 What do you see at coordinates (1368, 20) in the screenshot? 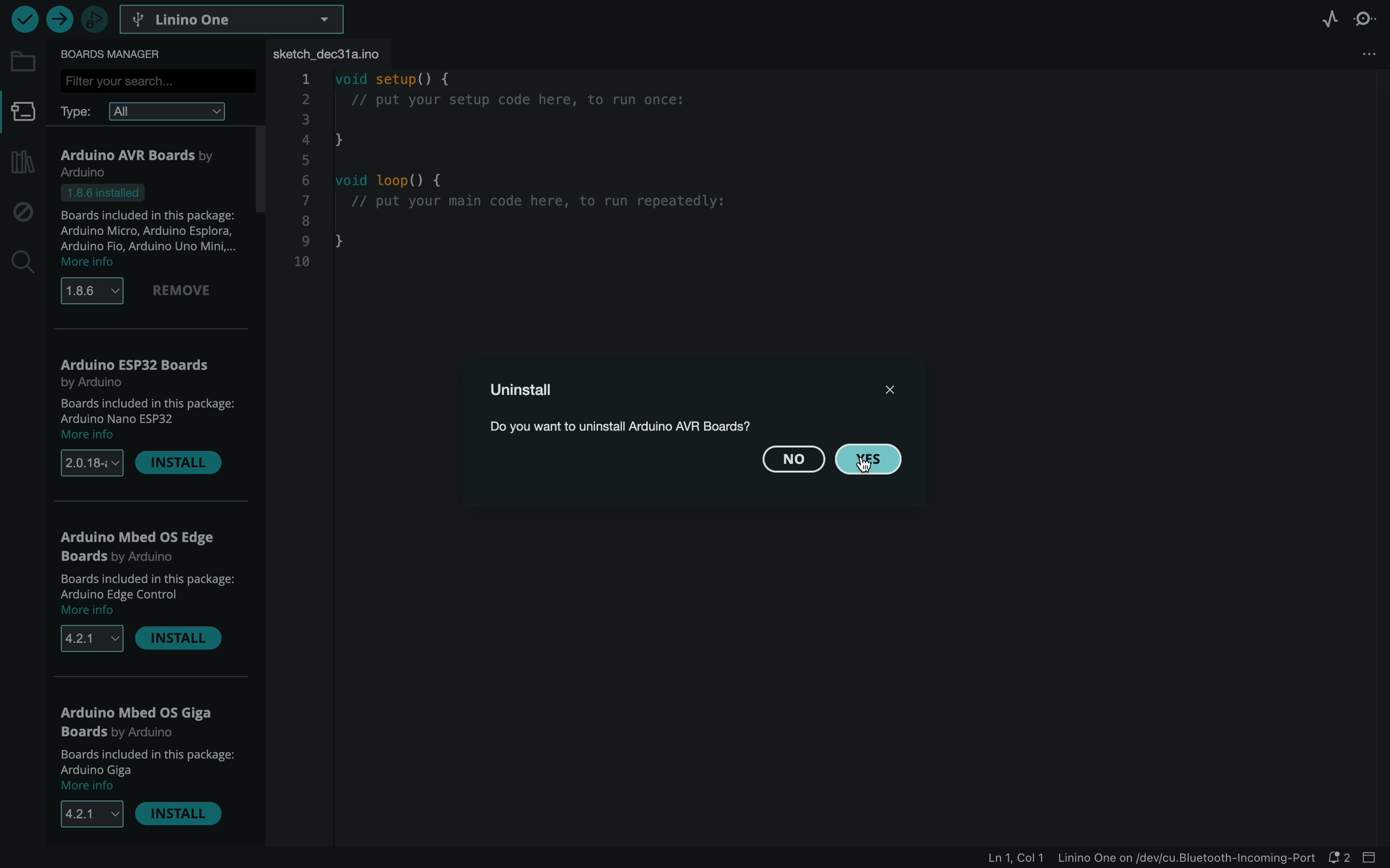
I see `serial monitor` at bounding box center [1368, 20].